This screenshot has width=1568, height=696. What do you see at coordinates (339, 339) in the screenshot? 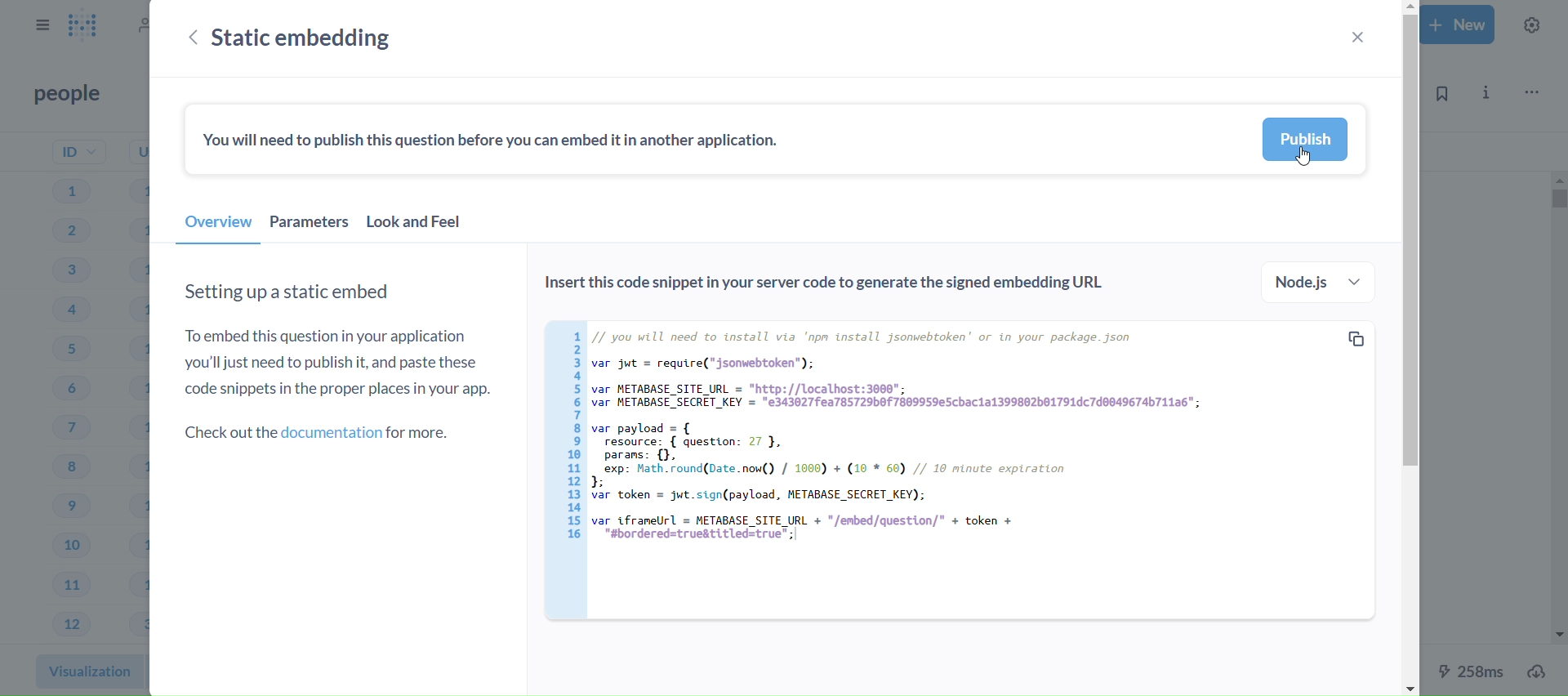
I see `Setting up a static embed

To embed this question in your application
you'll just need to publish it, and paste these
code snippets in the proper places in your app.` at bounding box center [339, 339].